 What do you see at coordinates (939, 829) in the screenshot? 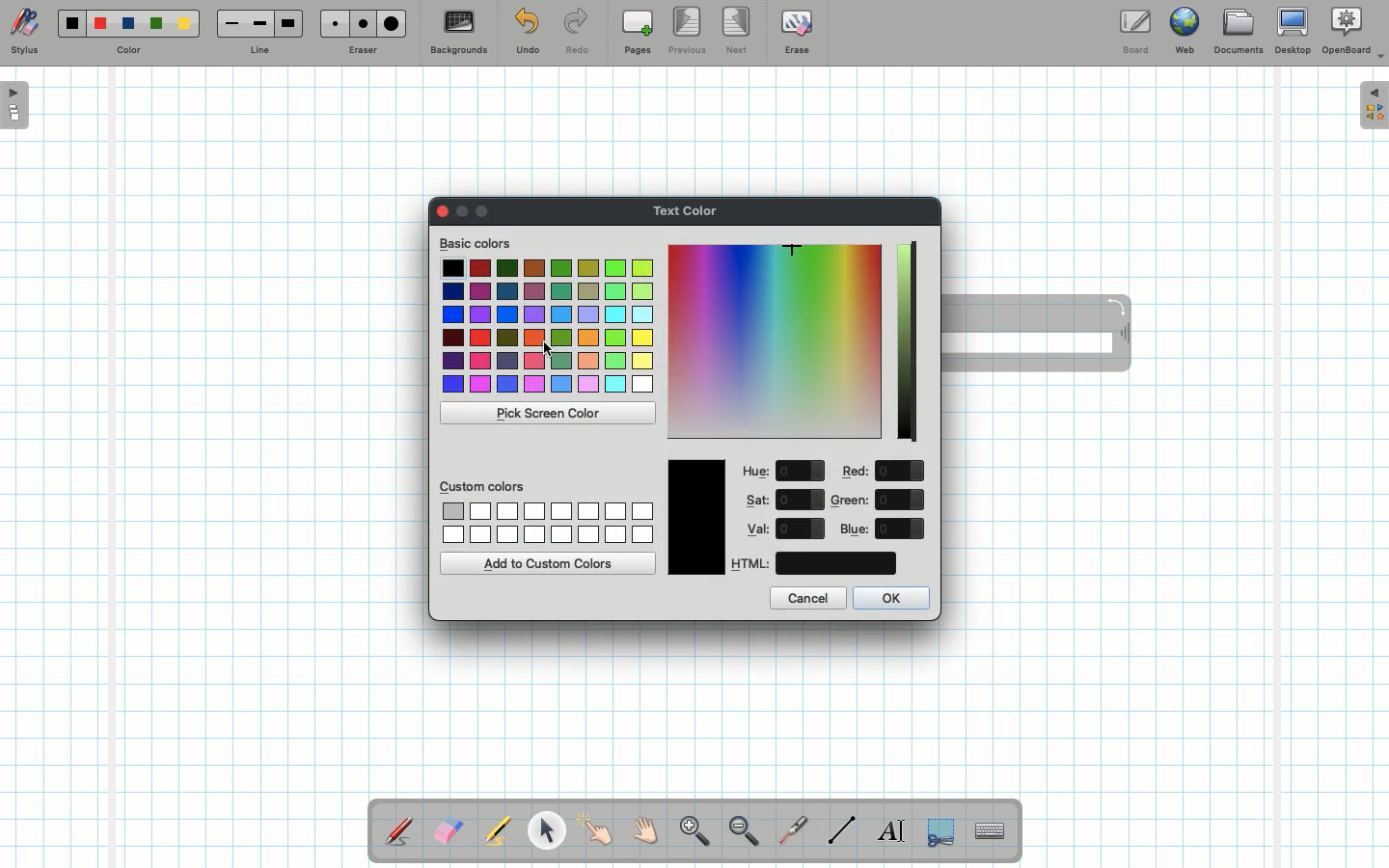
I see `Selection` at bounding box center [939, 829].